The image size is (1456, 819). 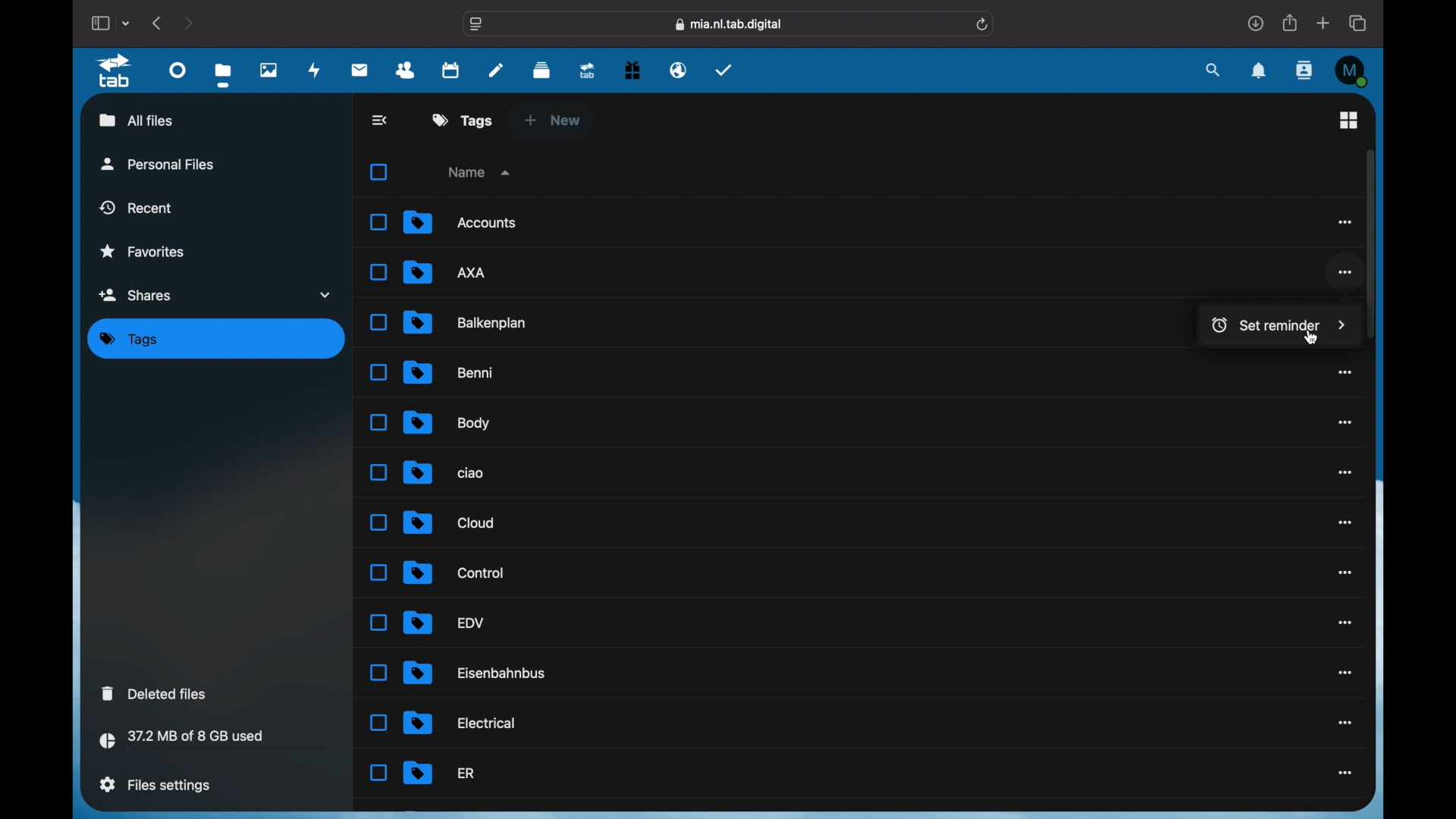 What do you see at coordinates (117, 71) in the screenshot?
I see `tab` at bounding box center [117, 71].